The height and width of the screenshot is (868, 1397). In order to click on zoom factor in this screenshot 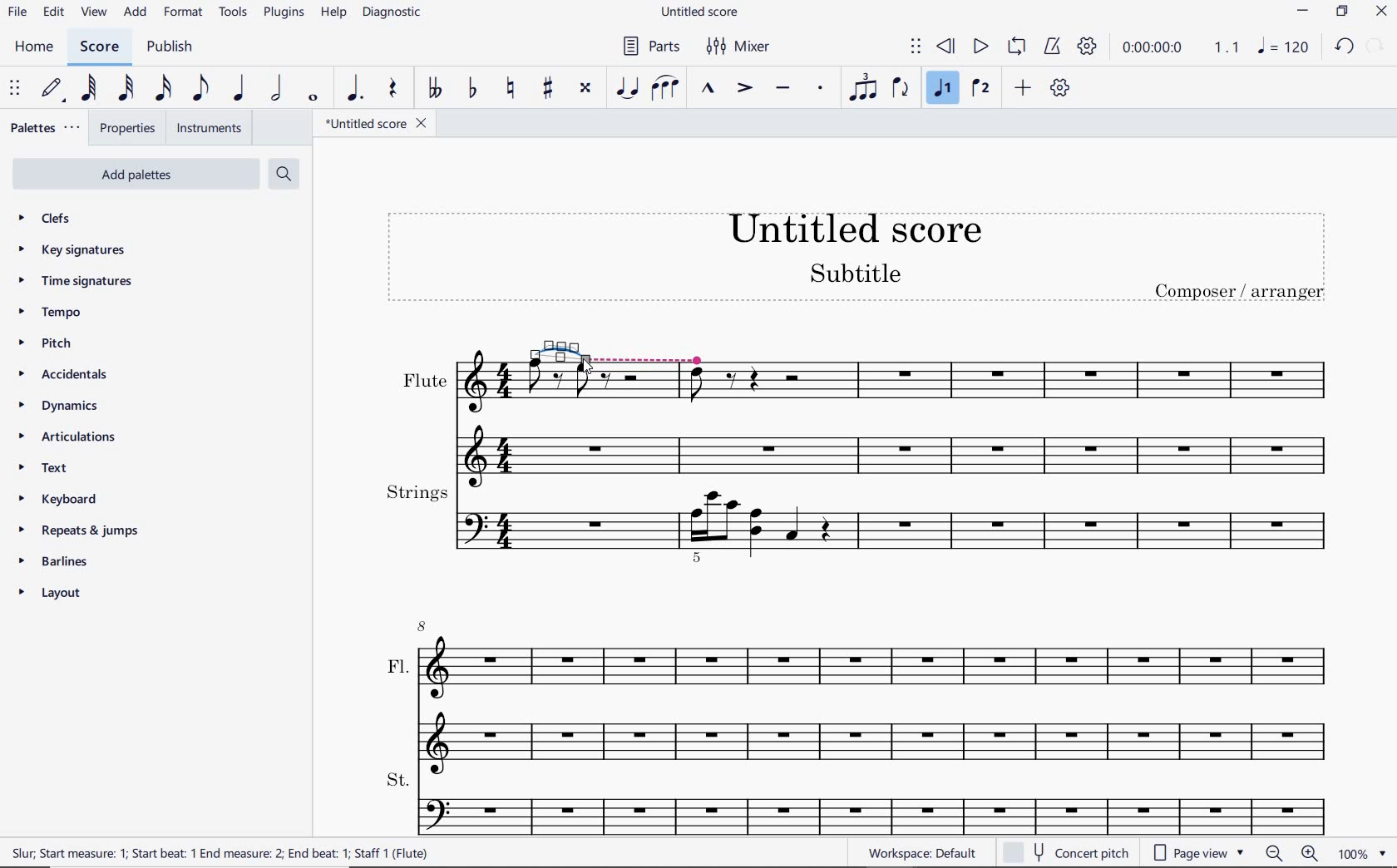, I will do `click(1360, 853)`.